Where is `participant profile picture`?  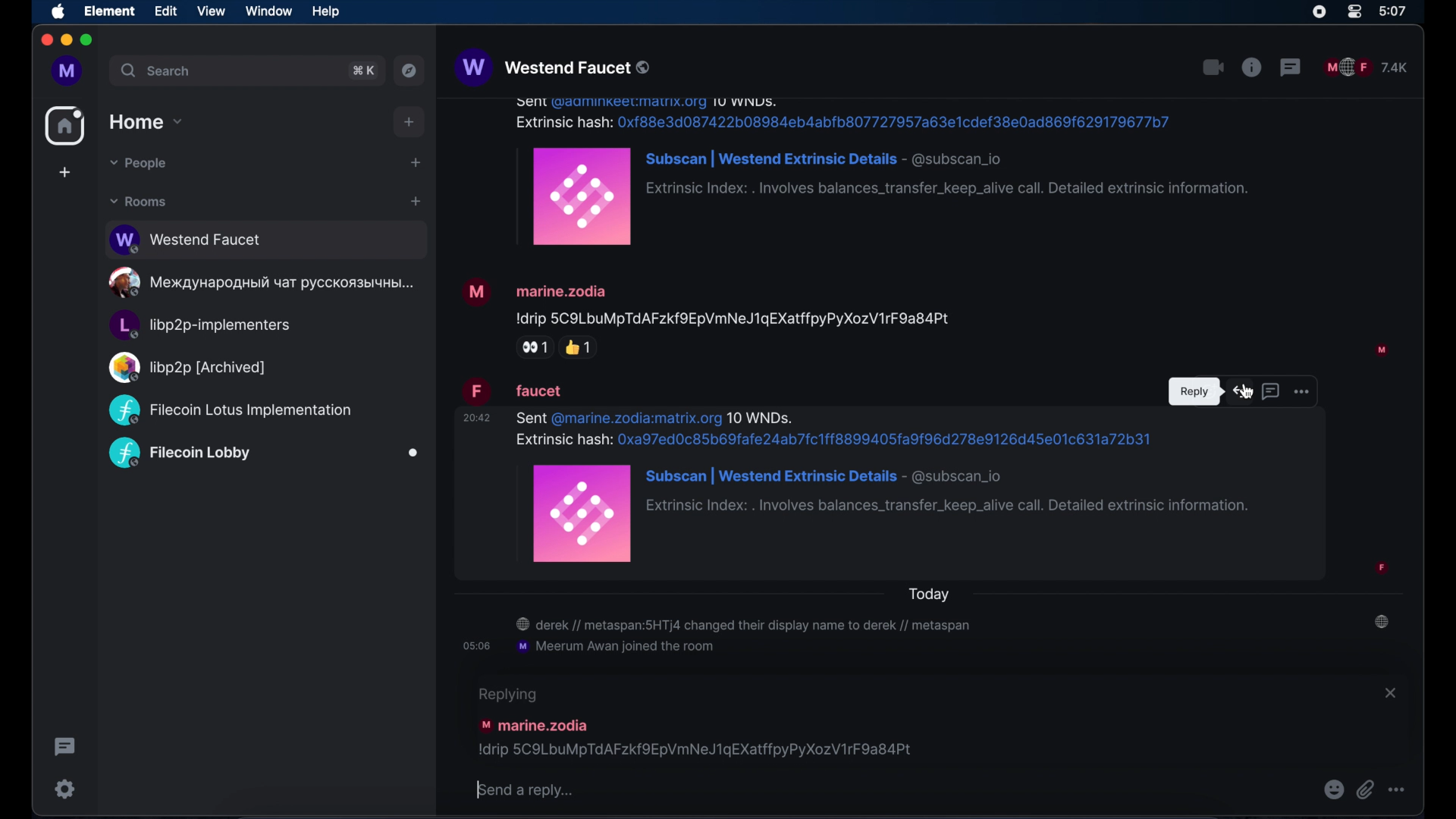 participant profile picture is located at coordinates (1381, 122).